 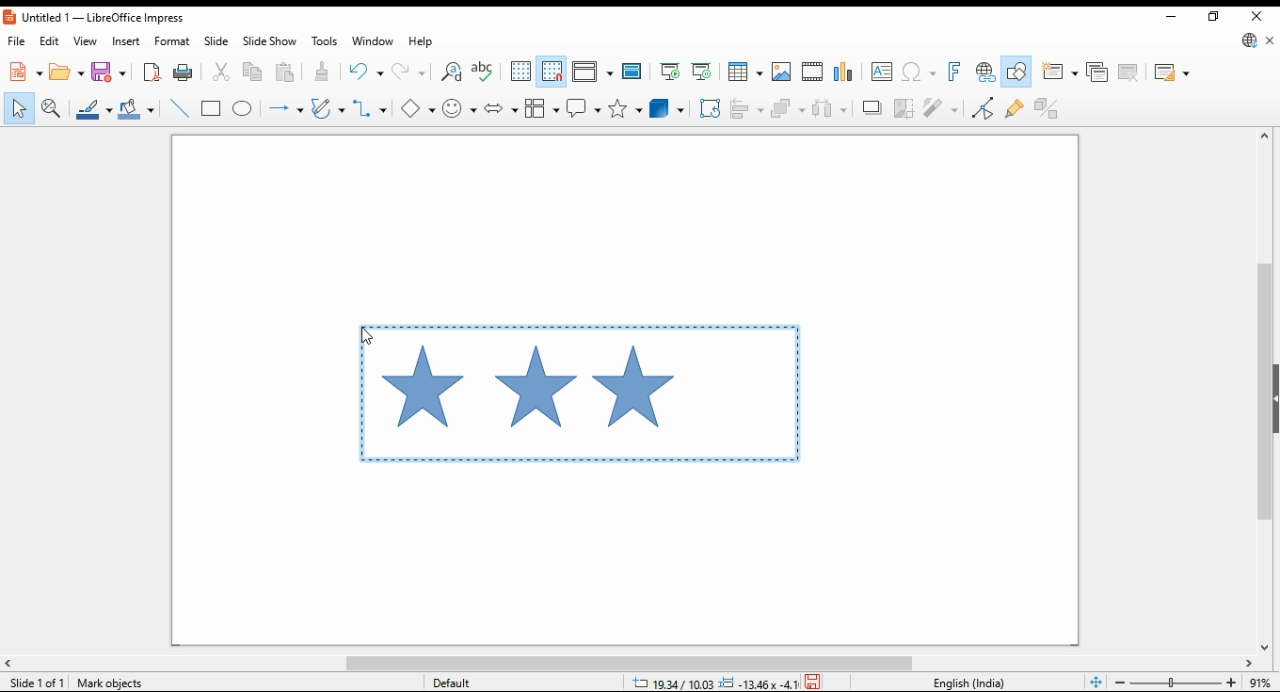 I want to click on view, so click(x=86, y=41).